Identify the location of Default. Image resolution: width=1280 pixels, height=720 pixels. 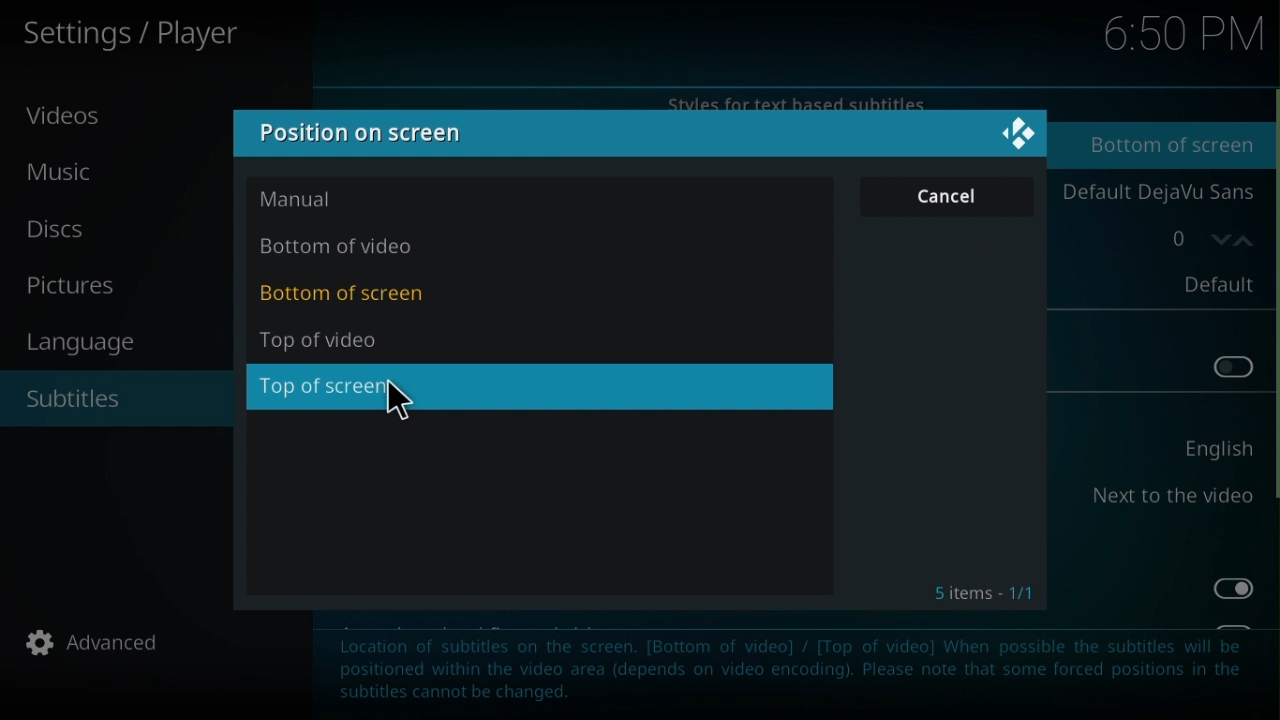
(1208, 284).